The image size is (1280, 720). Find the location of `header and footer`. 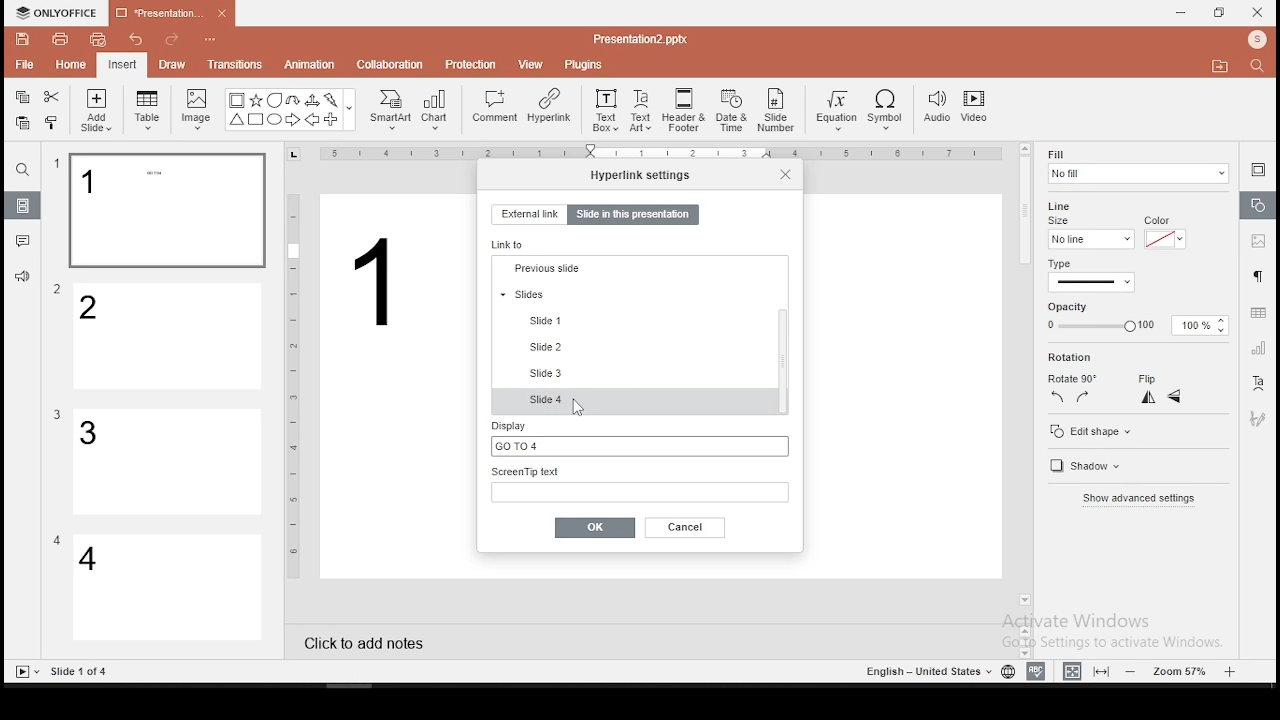

header and footer is located at coordinates (686, 111).